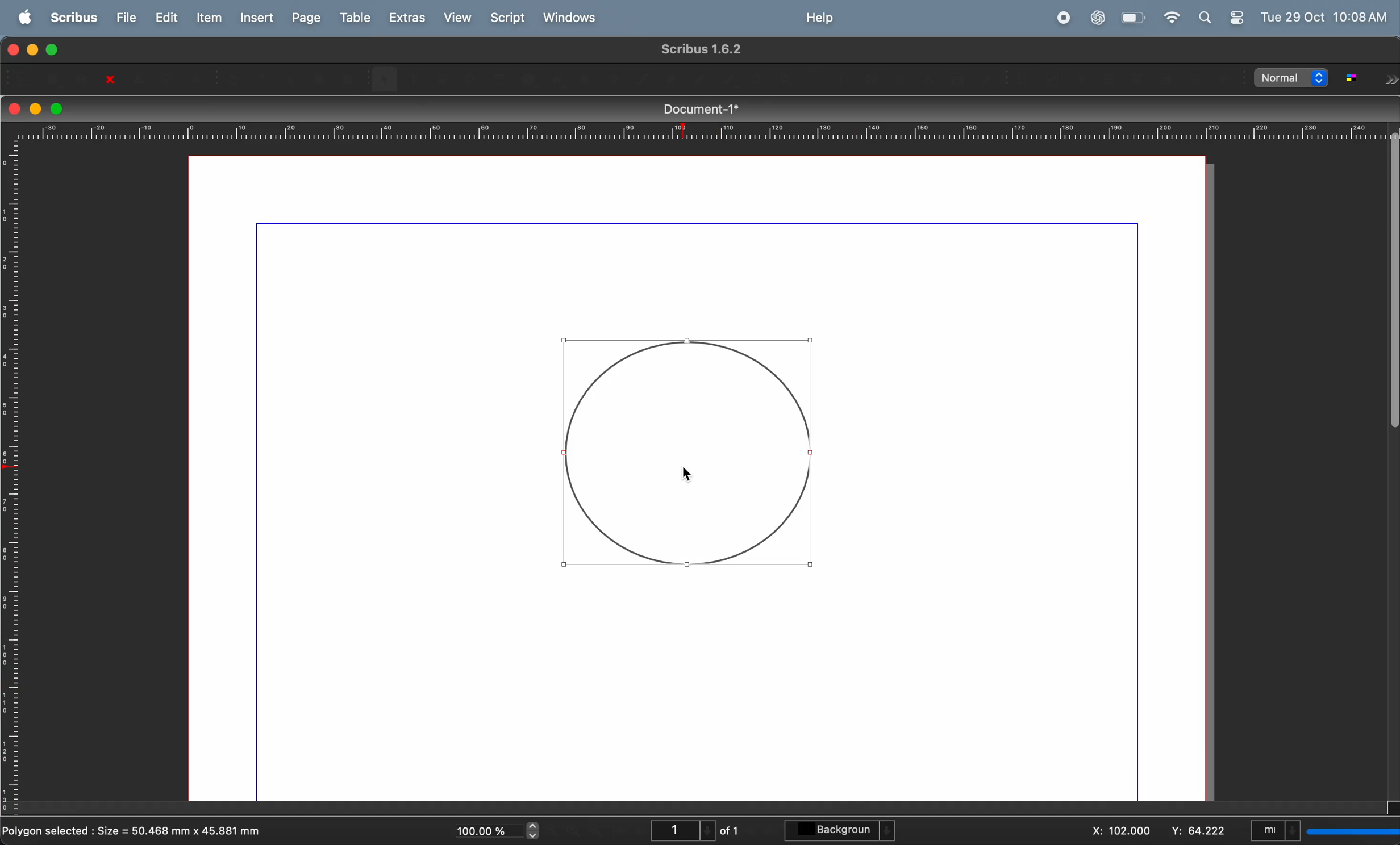 Image resolution: width=1400 pixels, height=845 pixels. Describe the element at coordinates (1293, 78) in the screenshot. I see `select image preview` at that location.